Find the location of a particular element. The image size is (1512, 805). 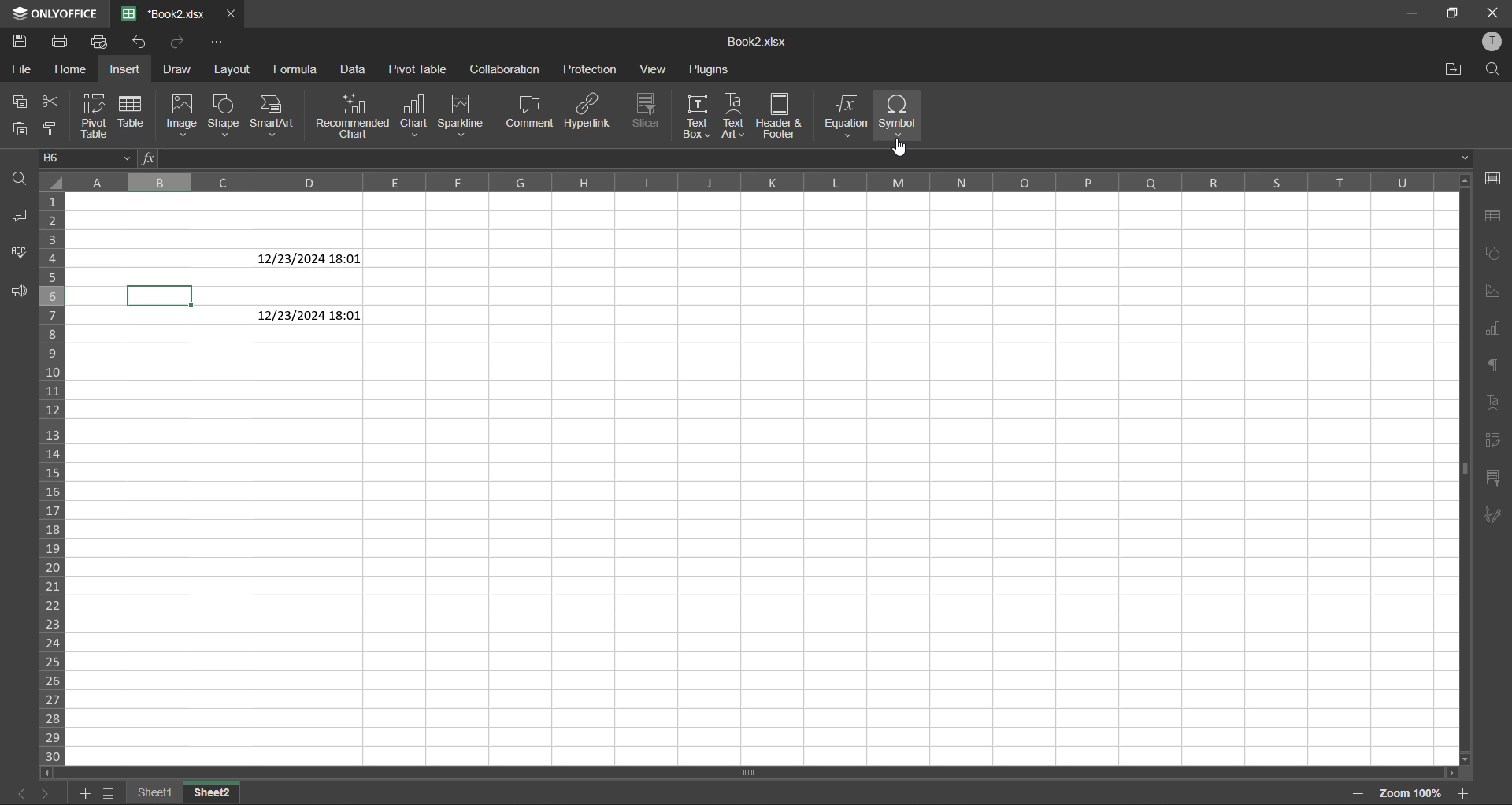

row numbers is located at coordinates (56, 476).